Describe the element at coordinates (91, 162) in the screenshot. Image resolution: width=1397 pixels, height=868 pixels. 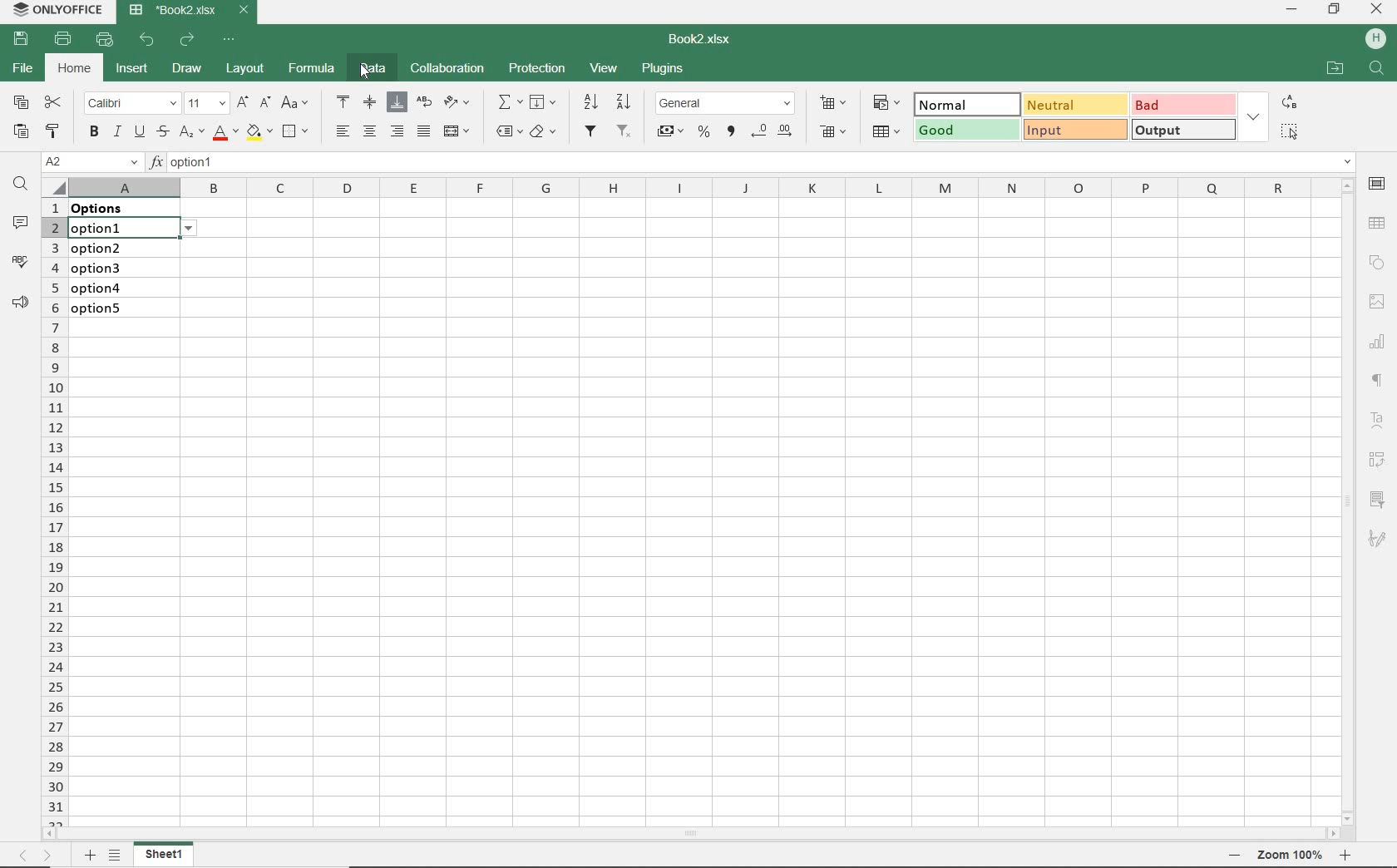
I see `NAME MANAGER` at that location.